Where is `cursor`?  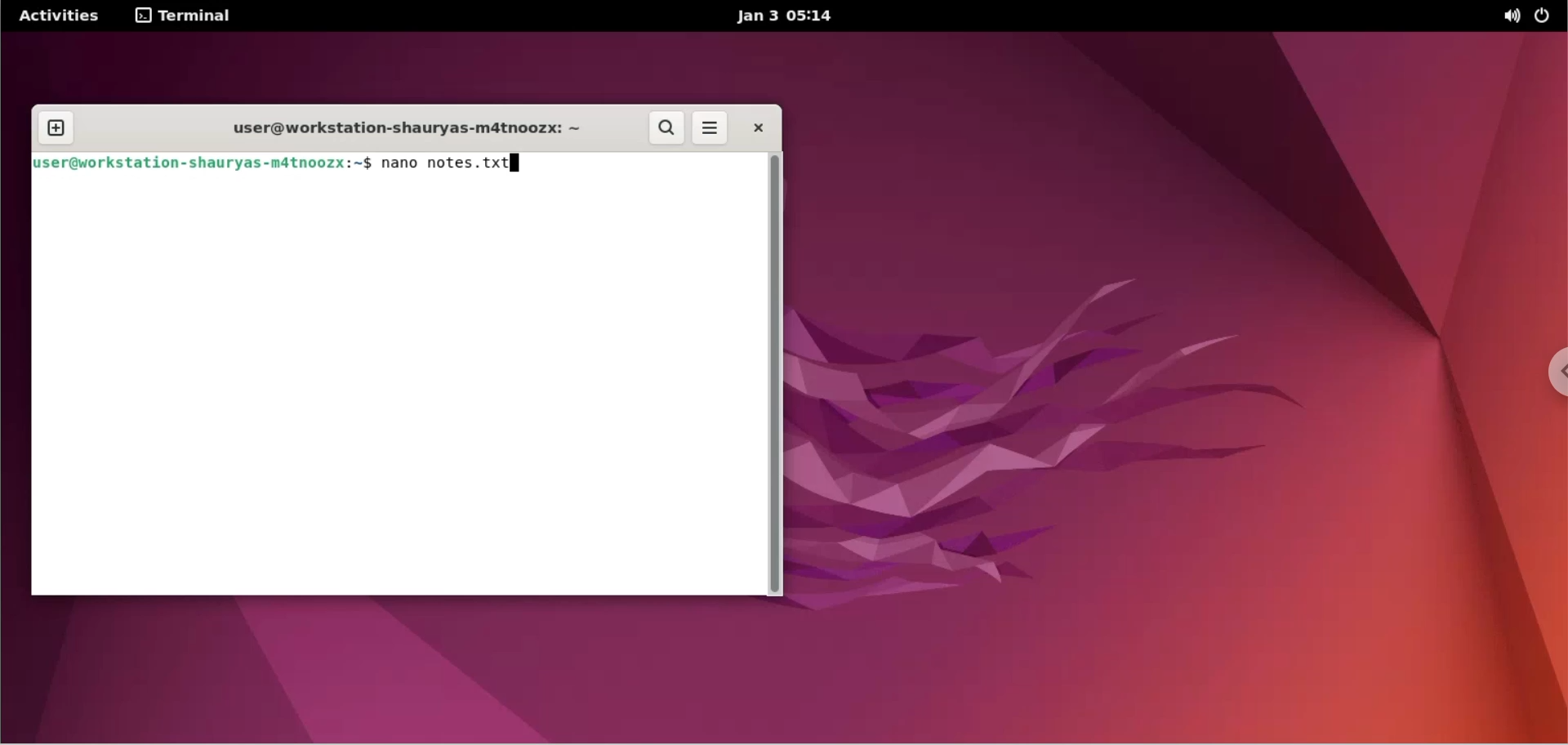 cursor is located at coordinates (517, 166).